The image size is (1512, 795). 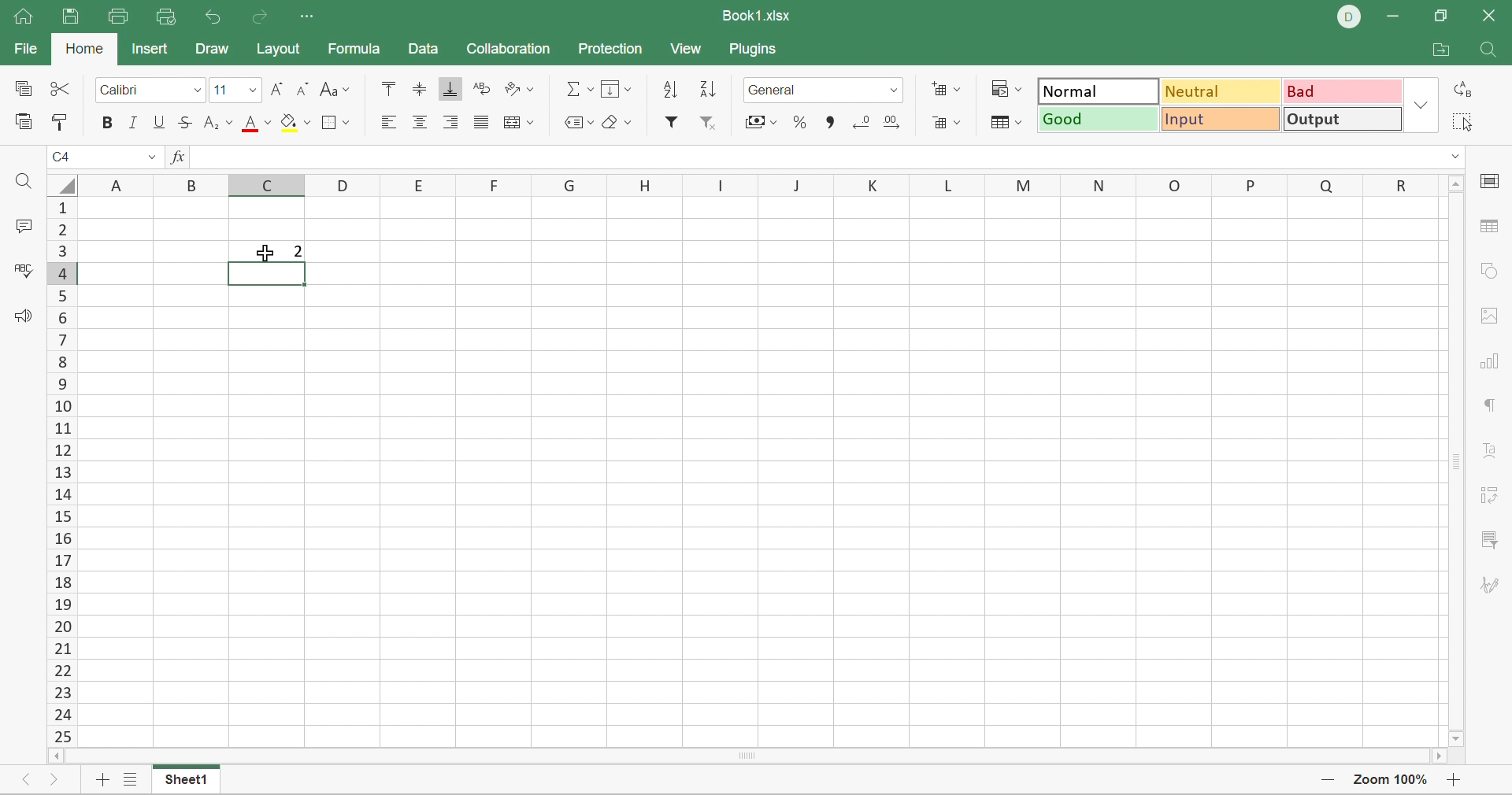 I want to click on Collaboration, so click(x=512, y=48).